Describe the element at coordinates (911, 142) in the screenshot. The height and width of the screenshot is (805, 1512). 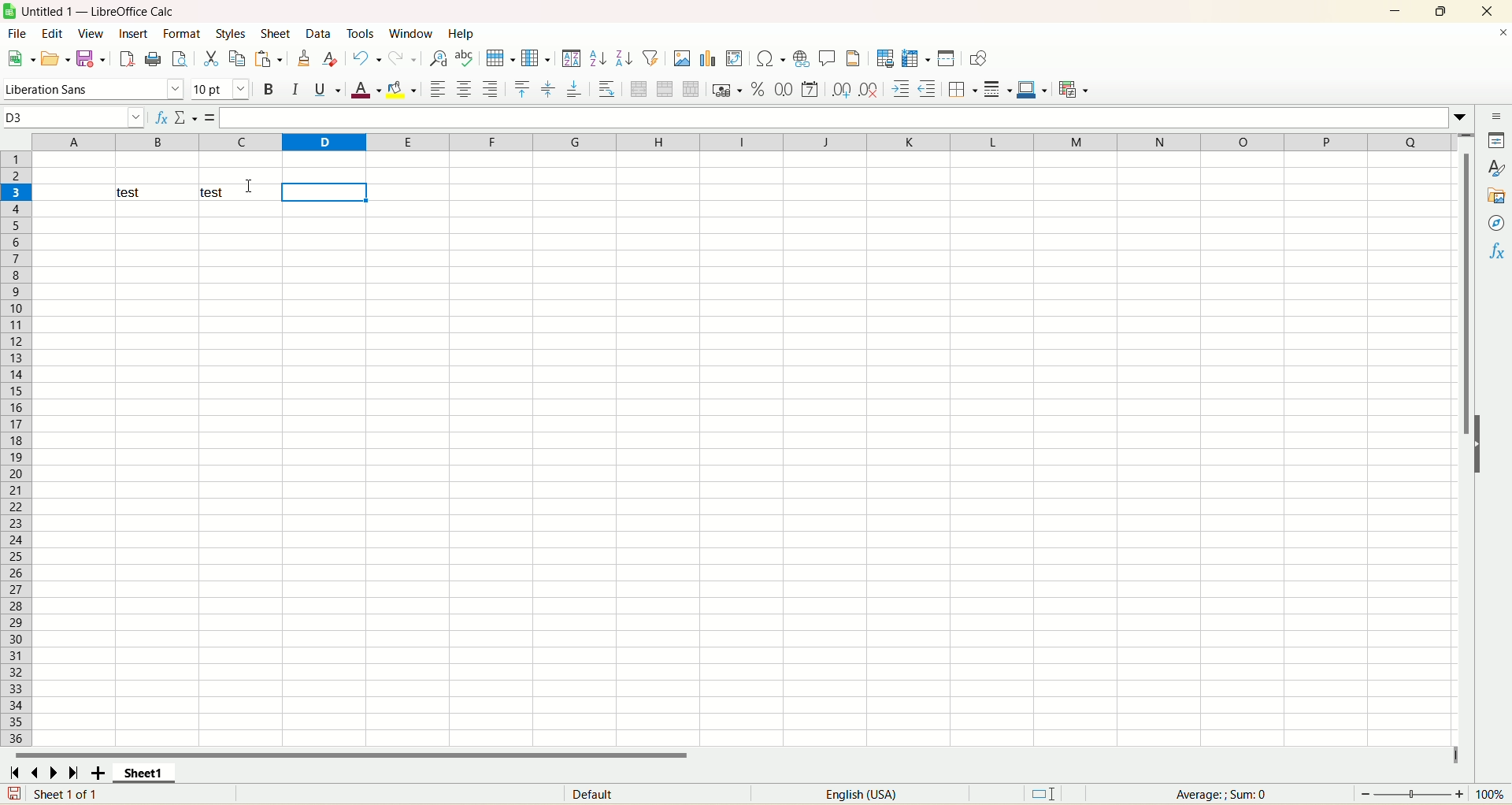
I see `column divisions ` at that location.